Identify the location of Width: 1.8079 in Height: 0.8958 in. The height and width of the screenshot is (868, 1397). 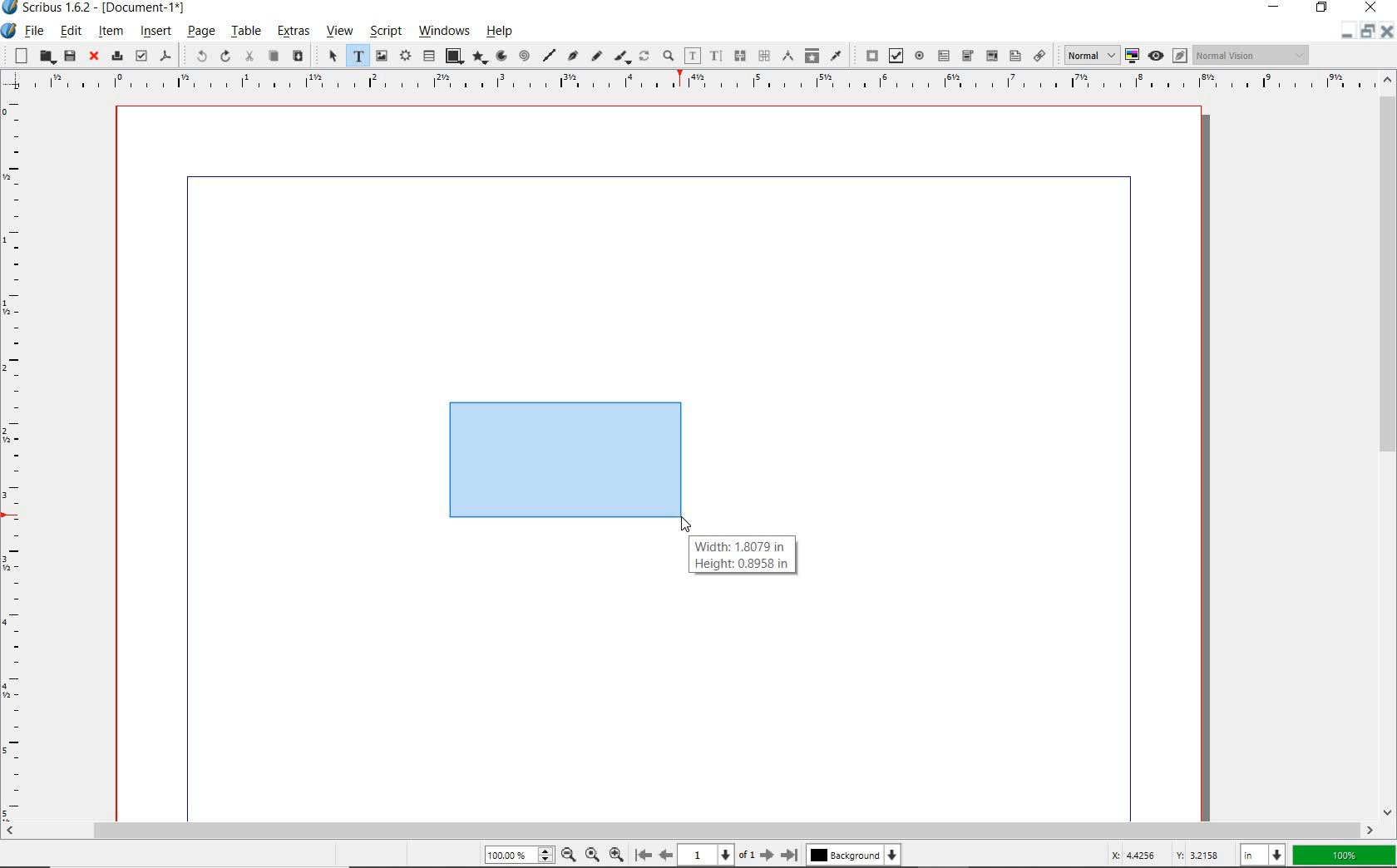
(742, 555).